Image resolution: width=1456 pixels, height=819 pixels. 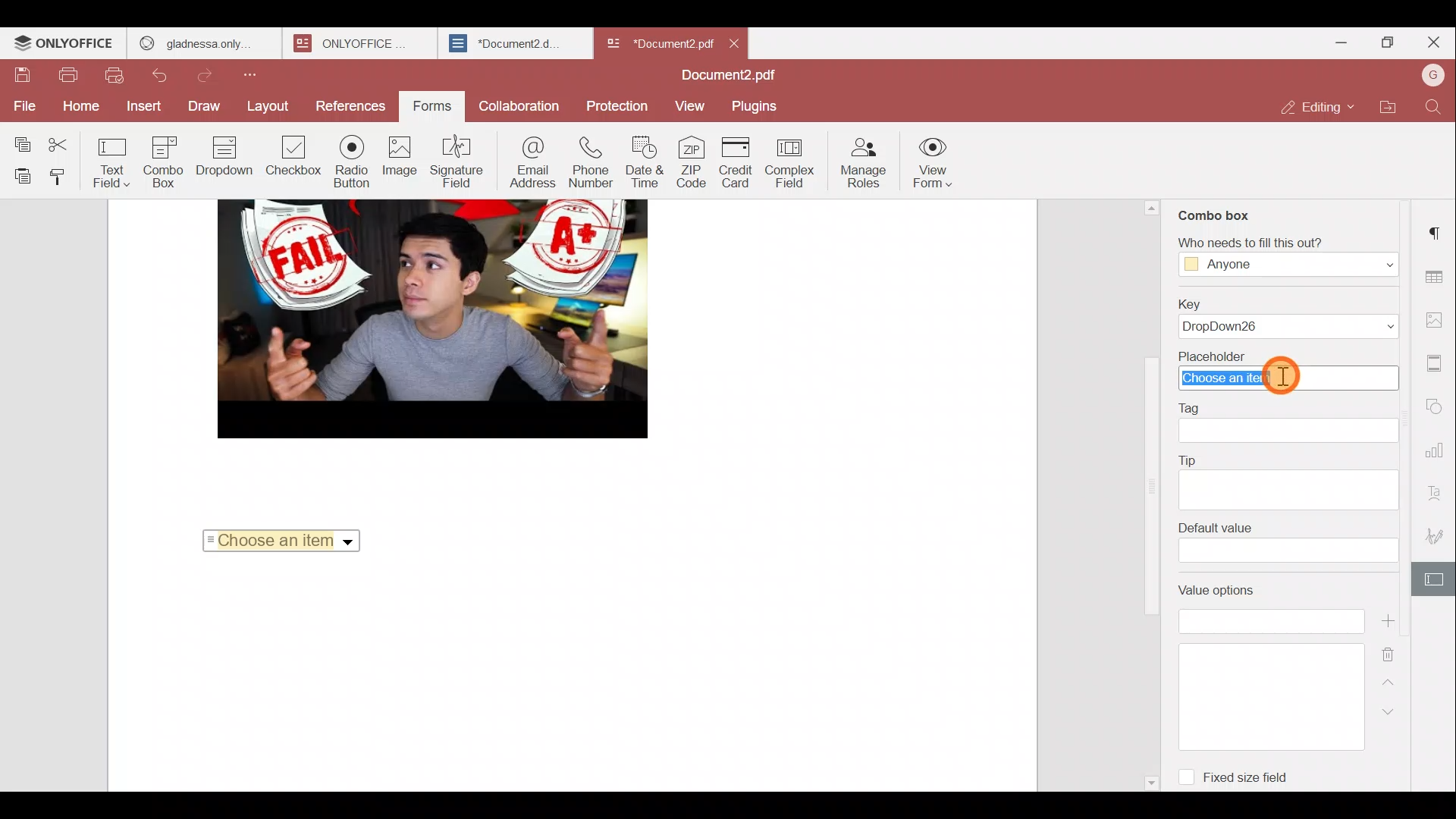 I want to click on Quick print, so click(x=114, y=76).